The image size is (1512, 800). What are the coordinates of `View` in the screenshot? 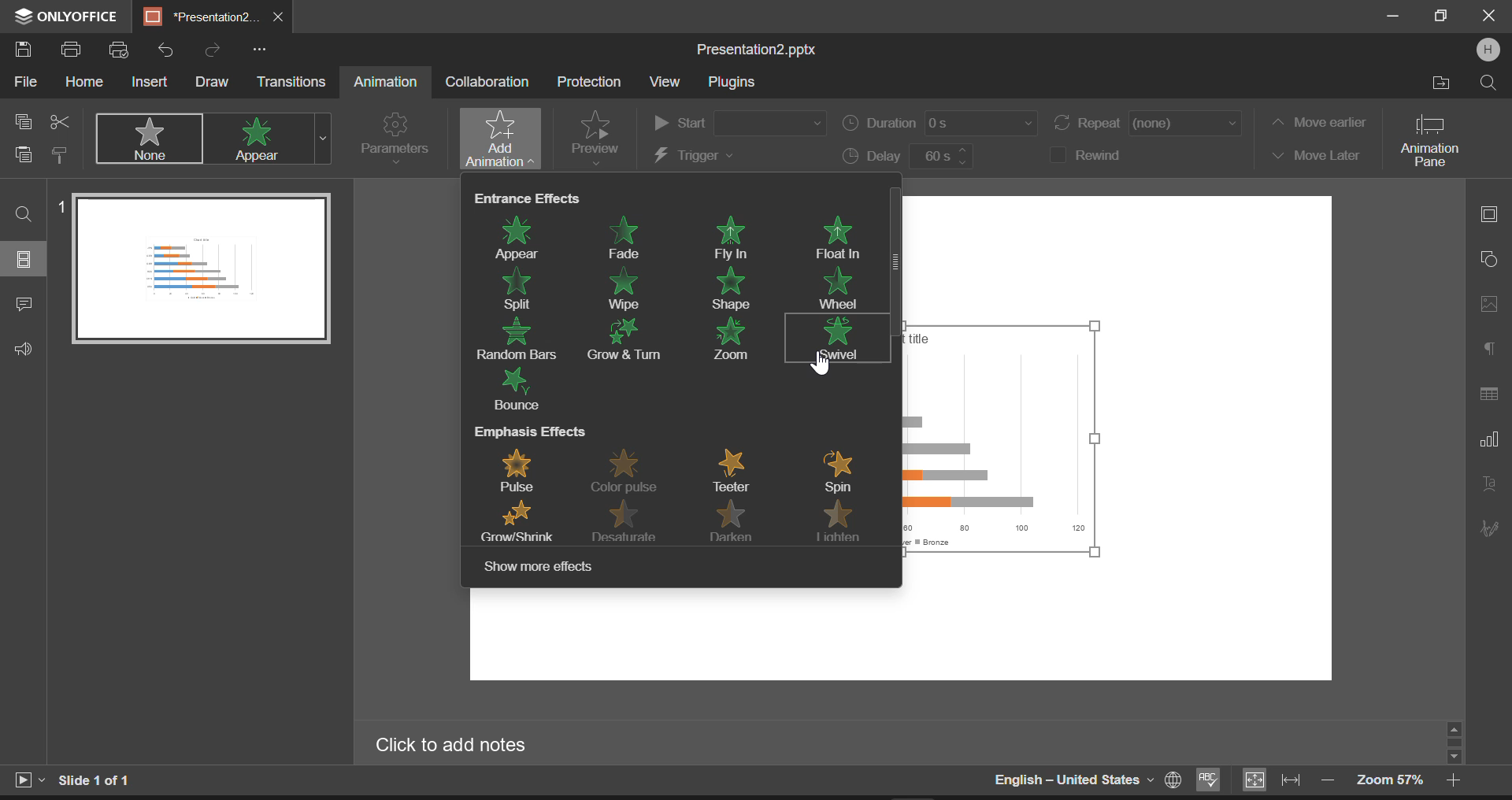 It's located at (665, 81).